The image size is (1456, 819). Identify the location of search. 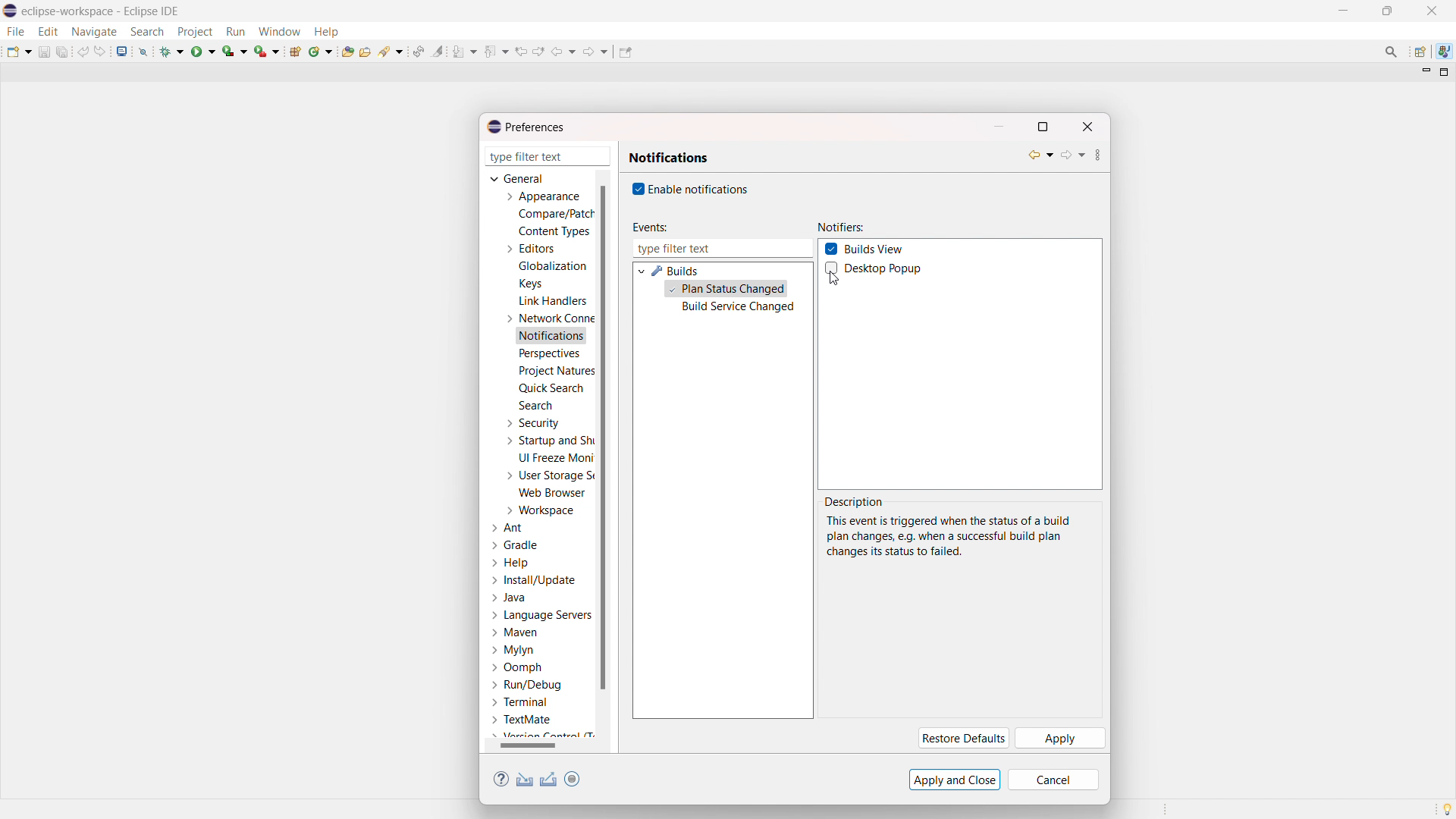
(535, 405).